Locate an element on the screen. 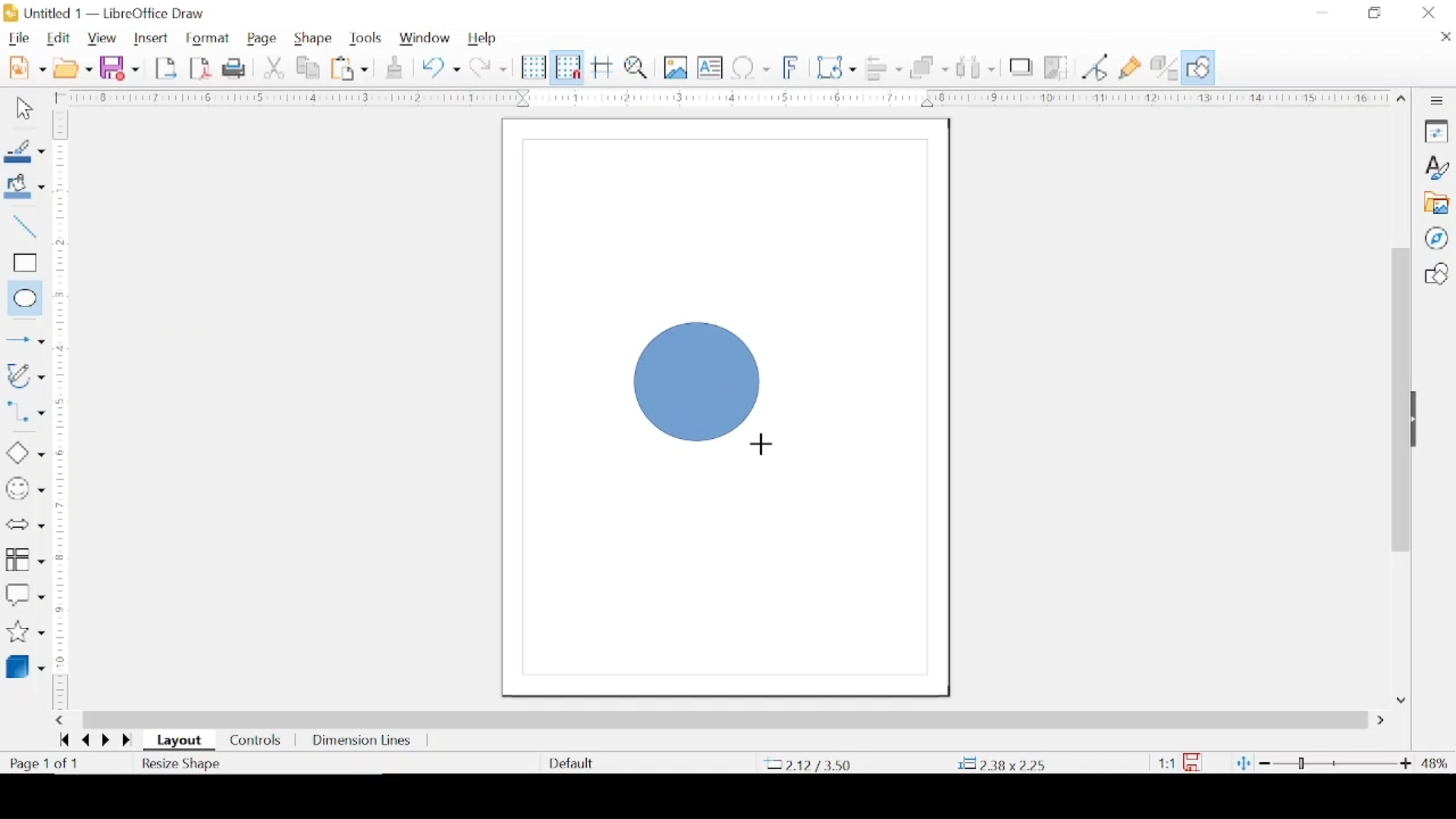 The image size is (1456, 819). crop image  is located at coordinates (1056, 67).